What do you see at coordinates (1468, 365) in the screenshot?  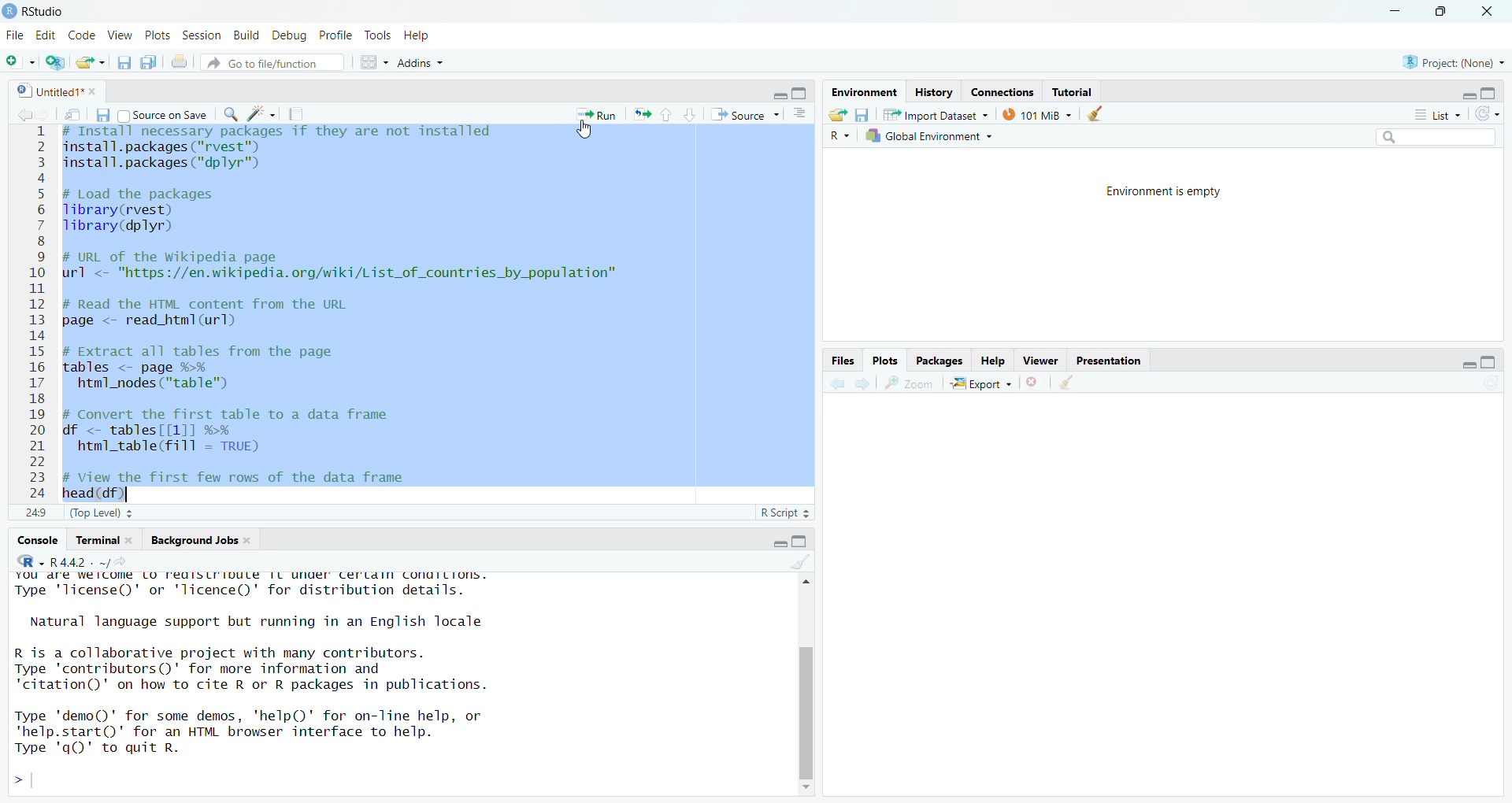 I see `minimize` at bounding box center [1468, 365].